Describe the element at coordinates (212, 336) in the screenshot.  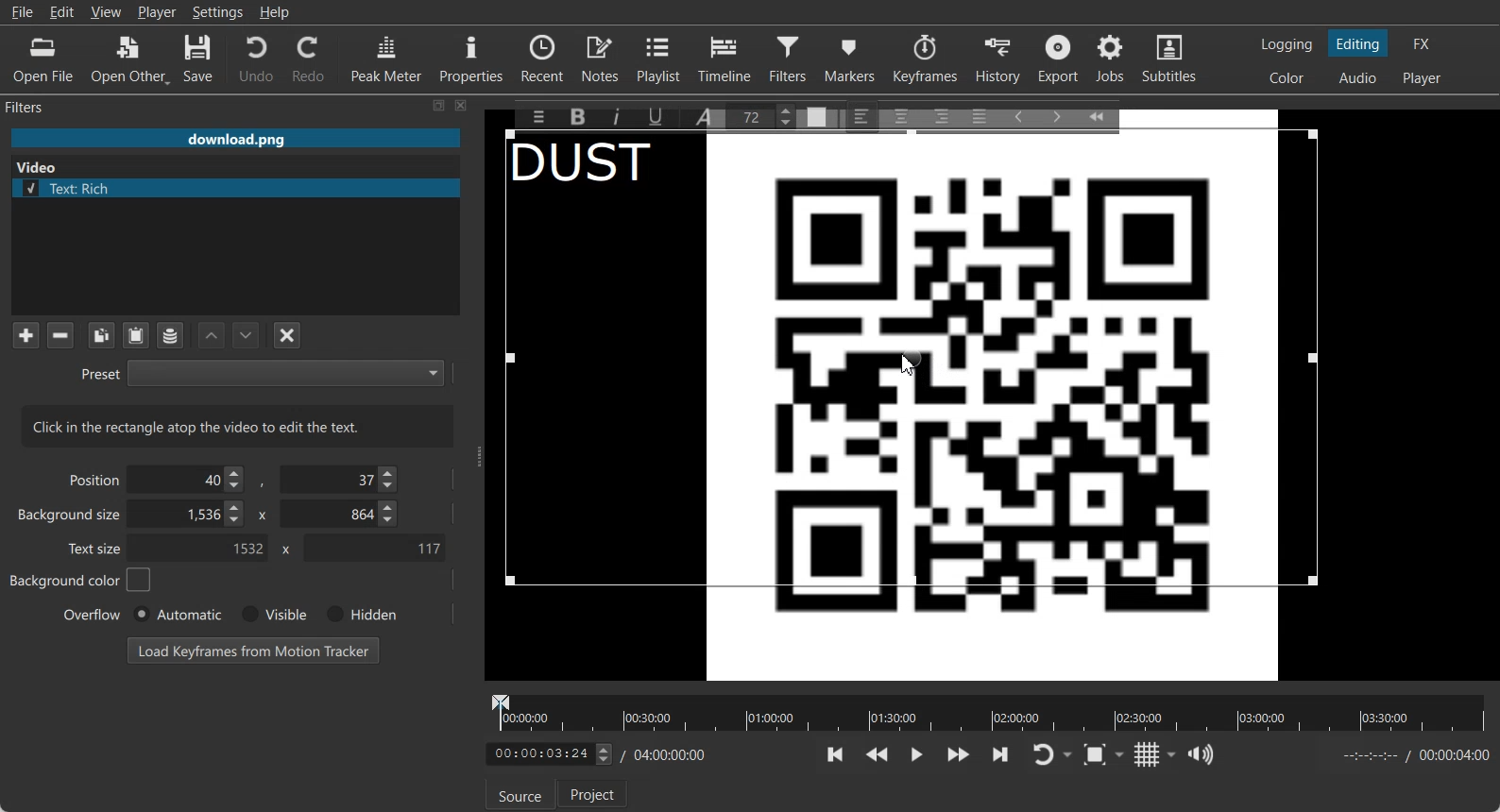
I see `Move Filter up` at that location.